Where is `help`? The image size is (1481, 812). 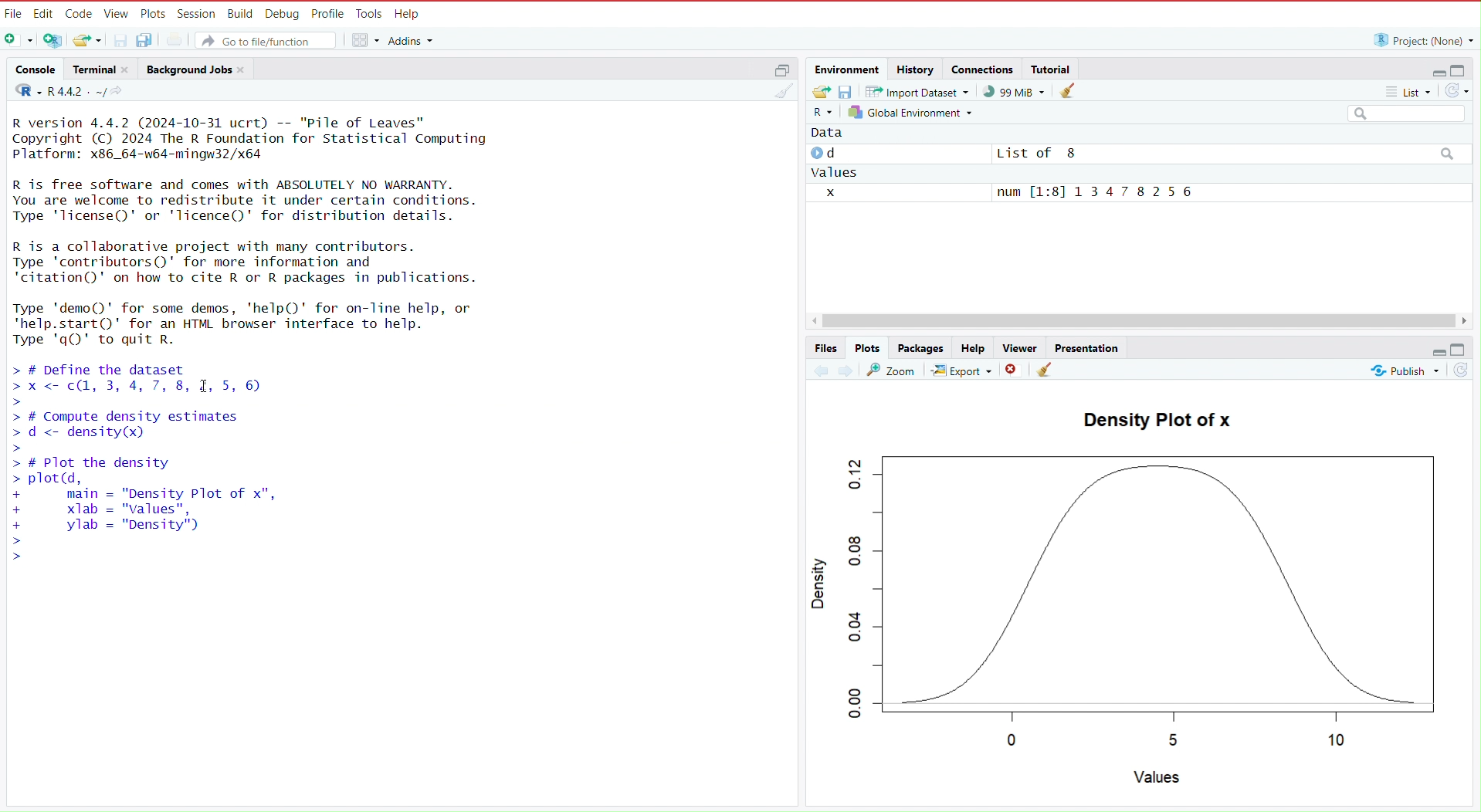
help is located at coordinates (410, 12).